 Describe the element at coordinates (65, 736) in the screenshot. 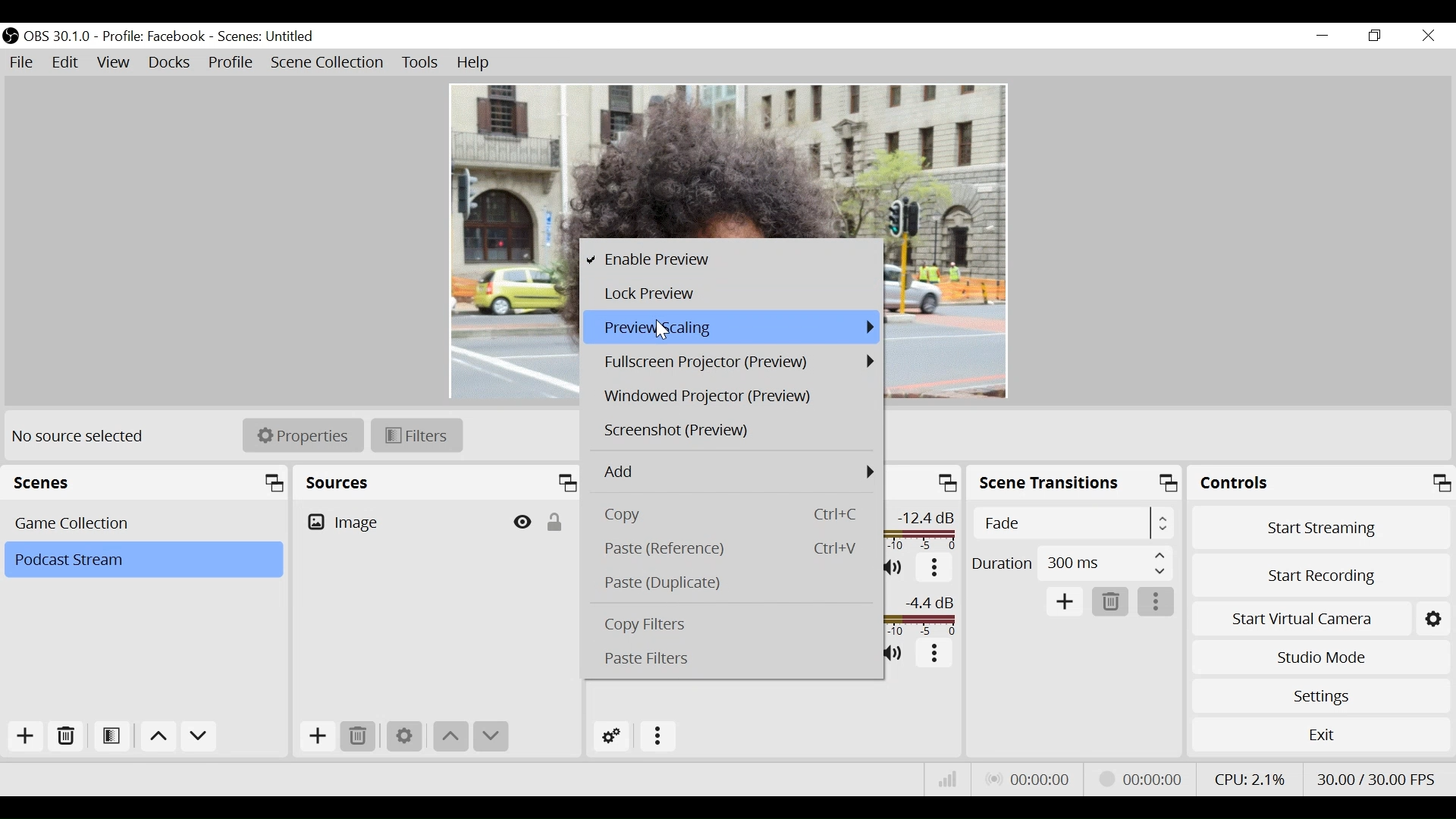

I see `Delete` at that location.